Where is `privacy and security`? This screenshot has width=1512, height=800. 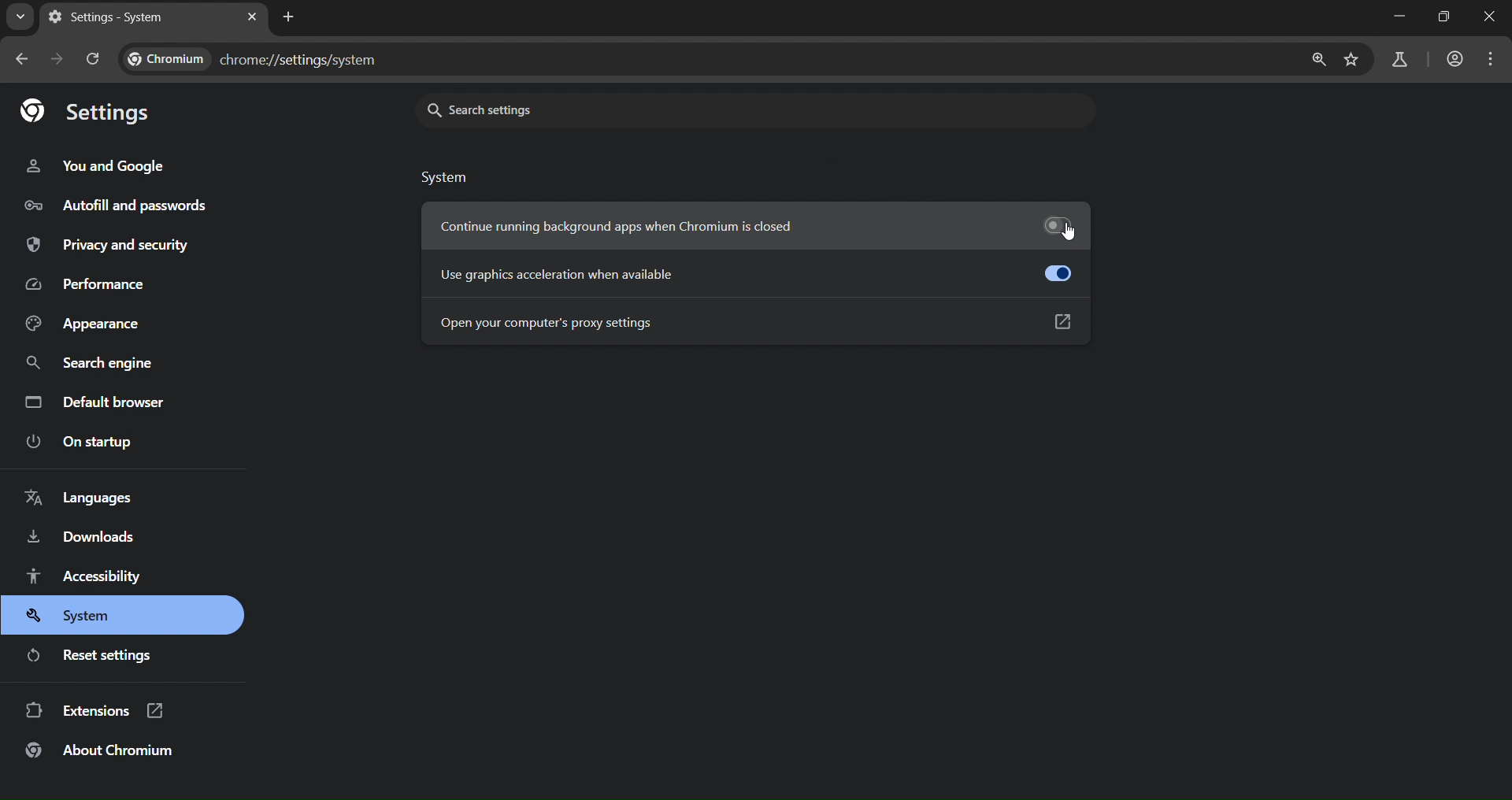
privacy and security is located at coordinates (117, 245).